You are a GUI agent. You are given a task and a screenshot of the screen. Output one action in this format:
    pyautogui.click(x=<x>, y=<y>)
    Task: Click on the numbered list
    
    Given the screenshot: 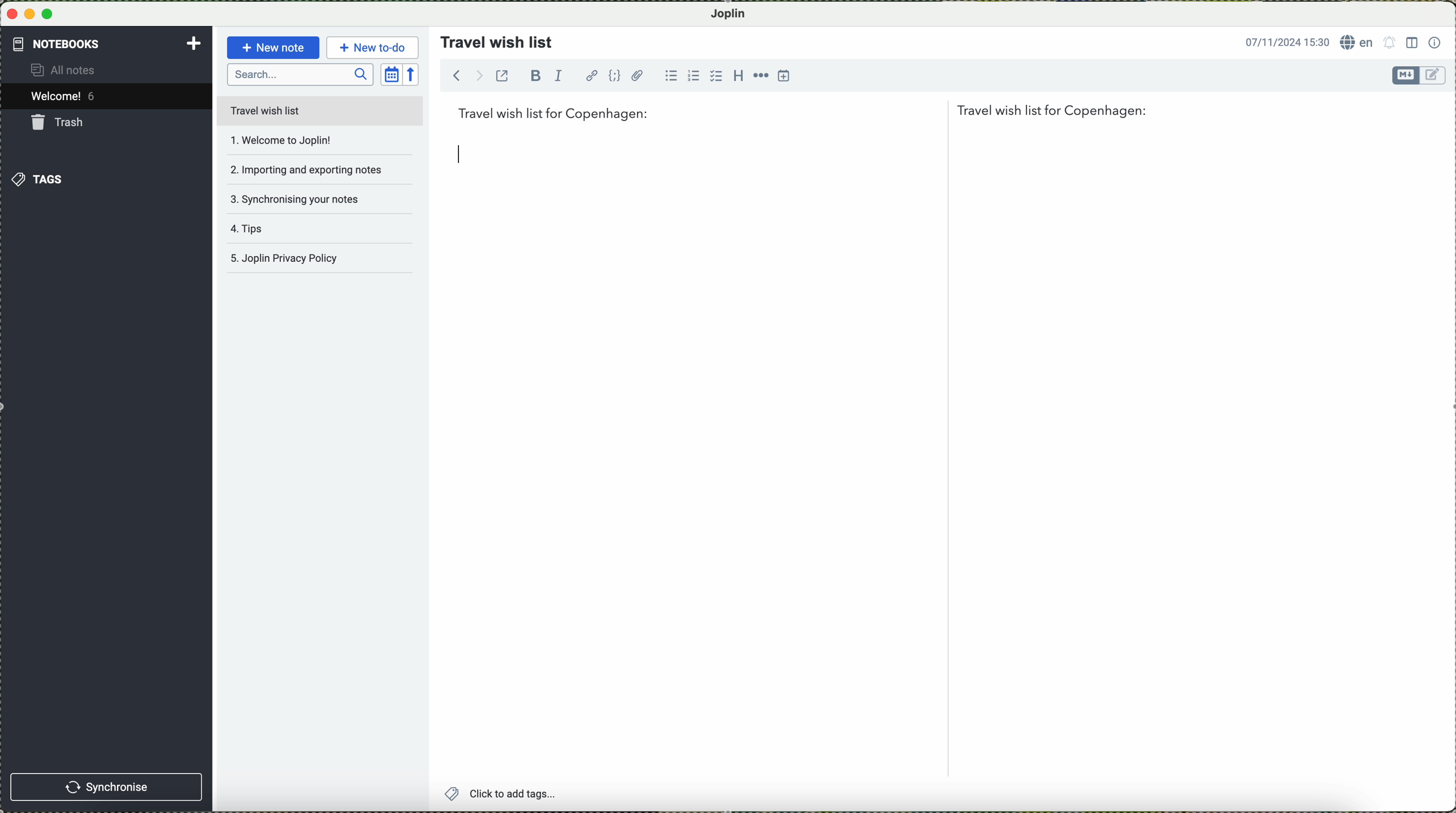 What is the action you would take?
    pyautogui.click(x=693, y=75)
    